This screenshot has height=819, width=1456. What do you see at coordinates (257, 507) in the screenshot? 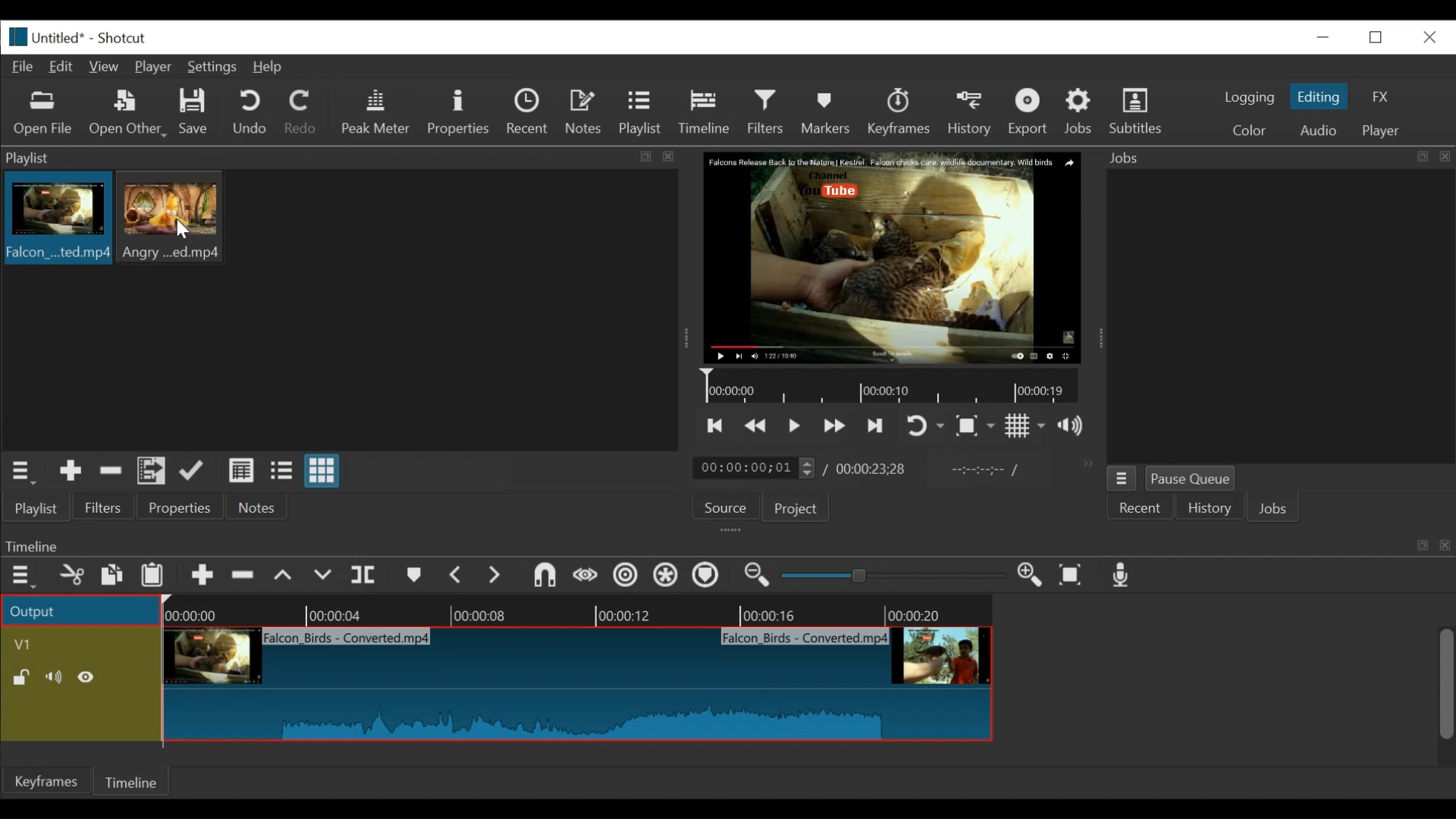
I see `Notes` at bounding box center [257, 507].